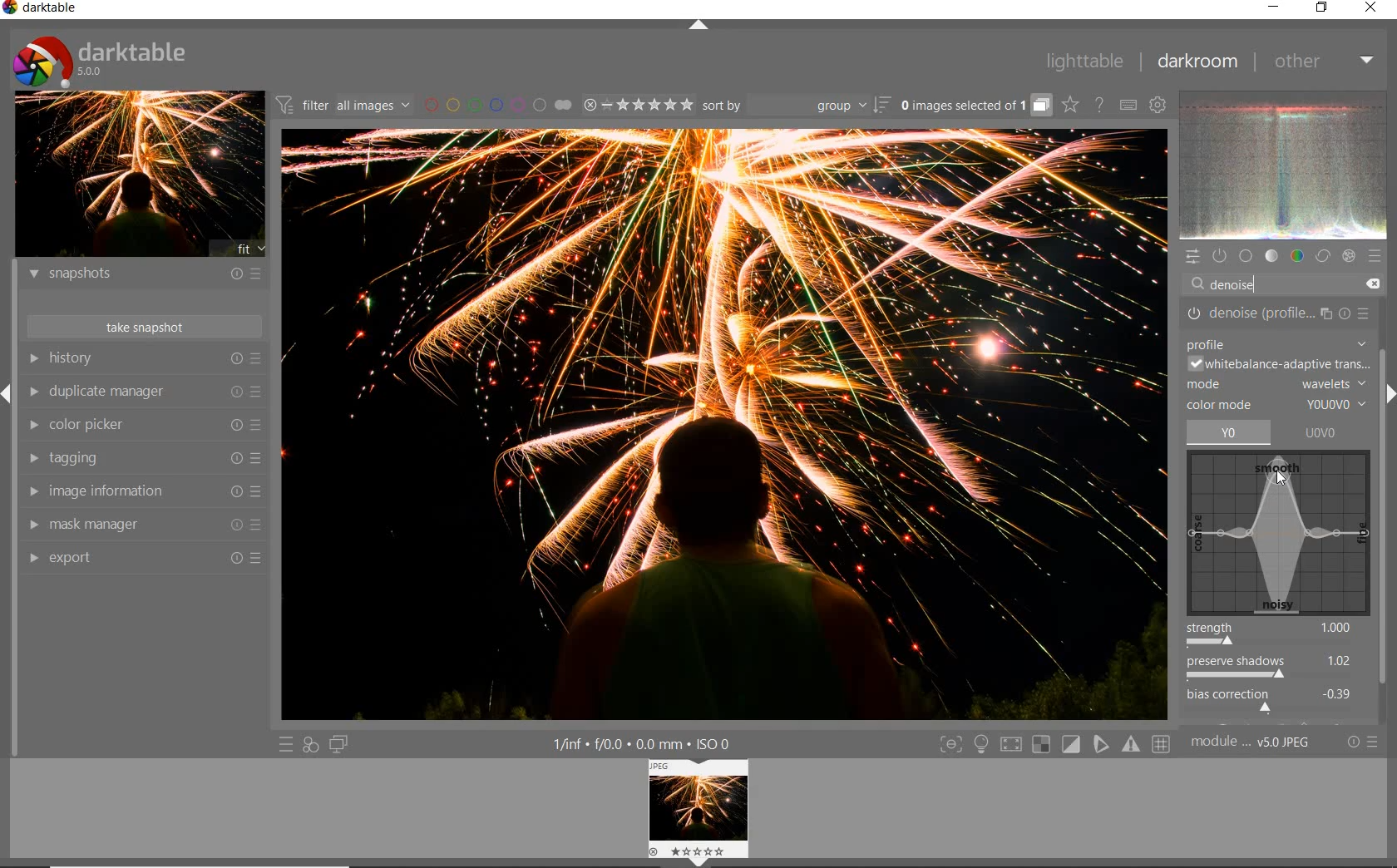 This screenshot has height=868, width=1397. Describe the element at coordinates (1279, 313) in the screenshot. I see `DENOISE` at that location.